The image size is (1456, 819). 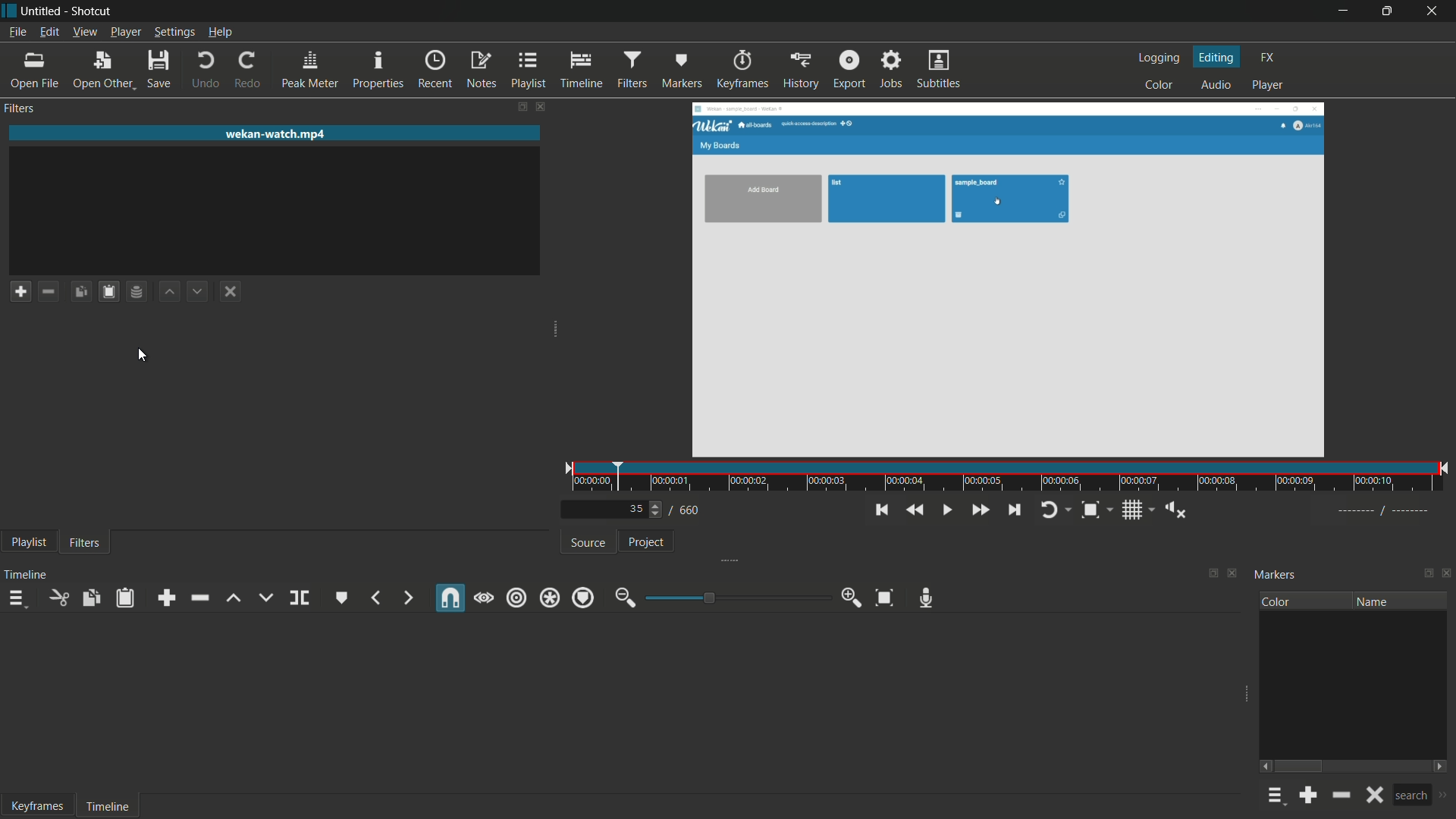 I want to click on timeline, so click(x=110, y=807).